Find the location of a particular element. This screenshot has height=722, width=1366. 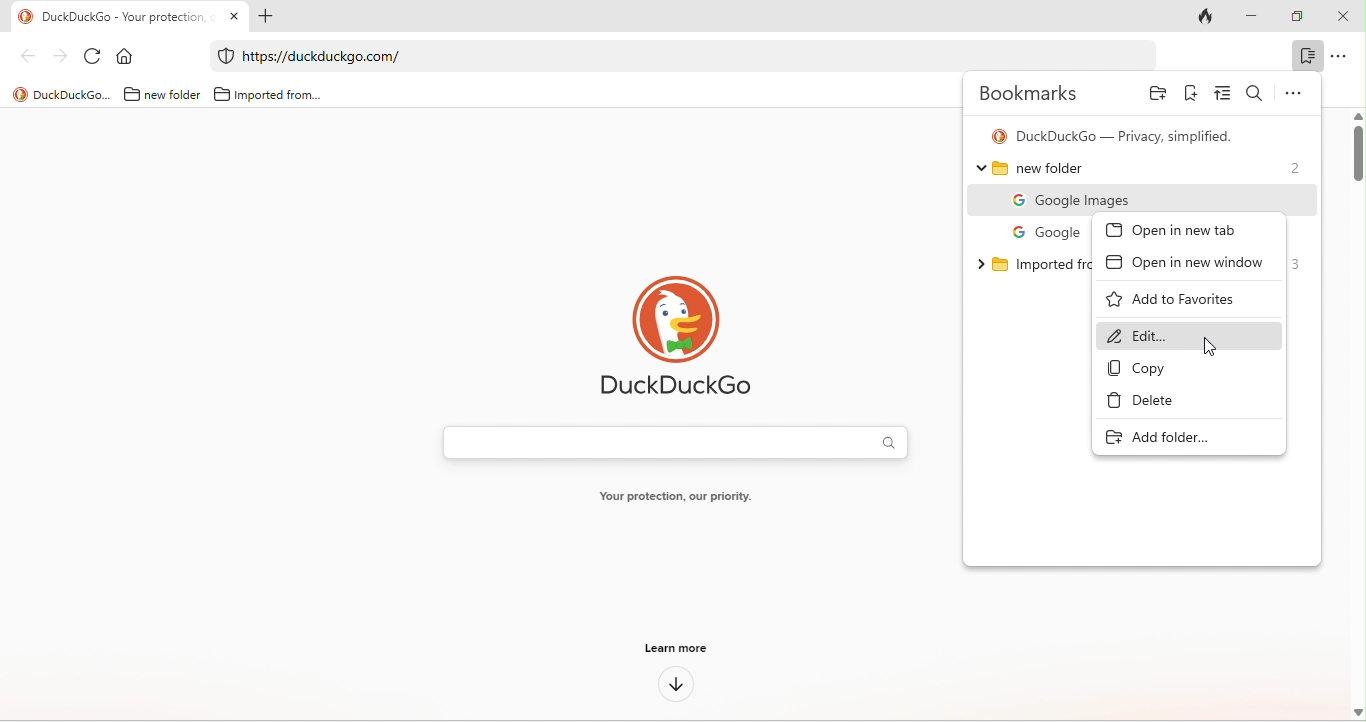

bookmarks is located at coordinates (1034, 94).